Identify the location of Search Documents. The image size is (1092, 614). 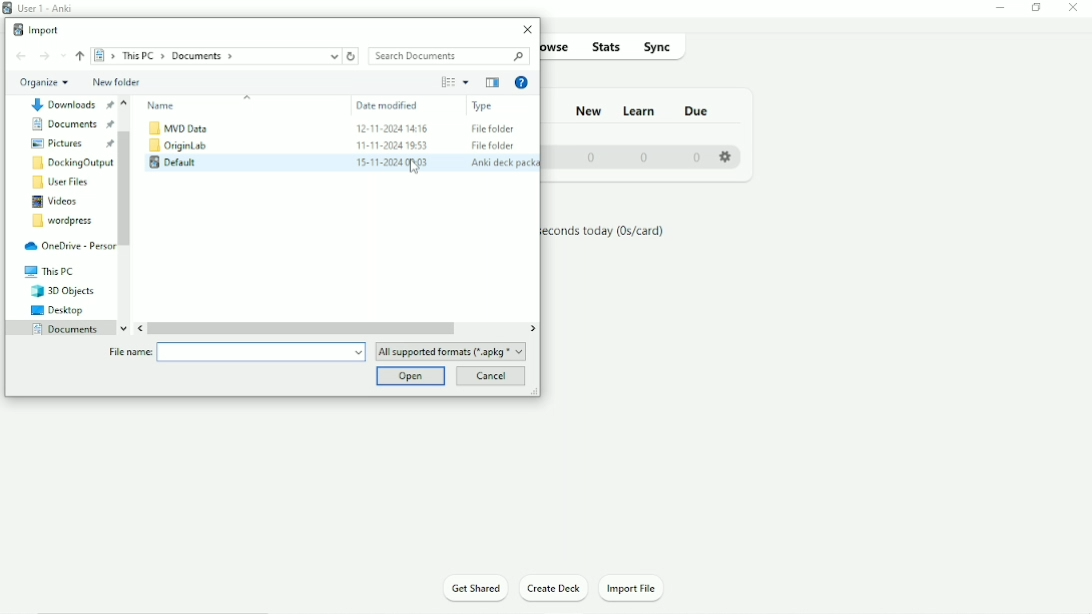
(448, 56).